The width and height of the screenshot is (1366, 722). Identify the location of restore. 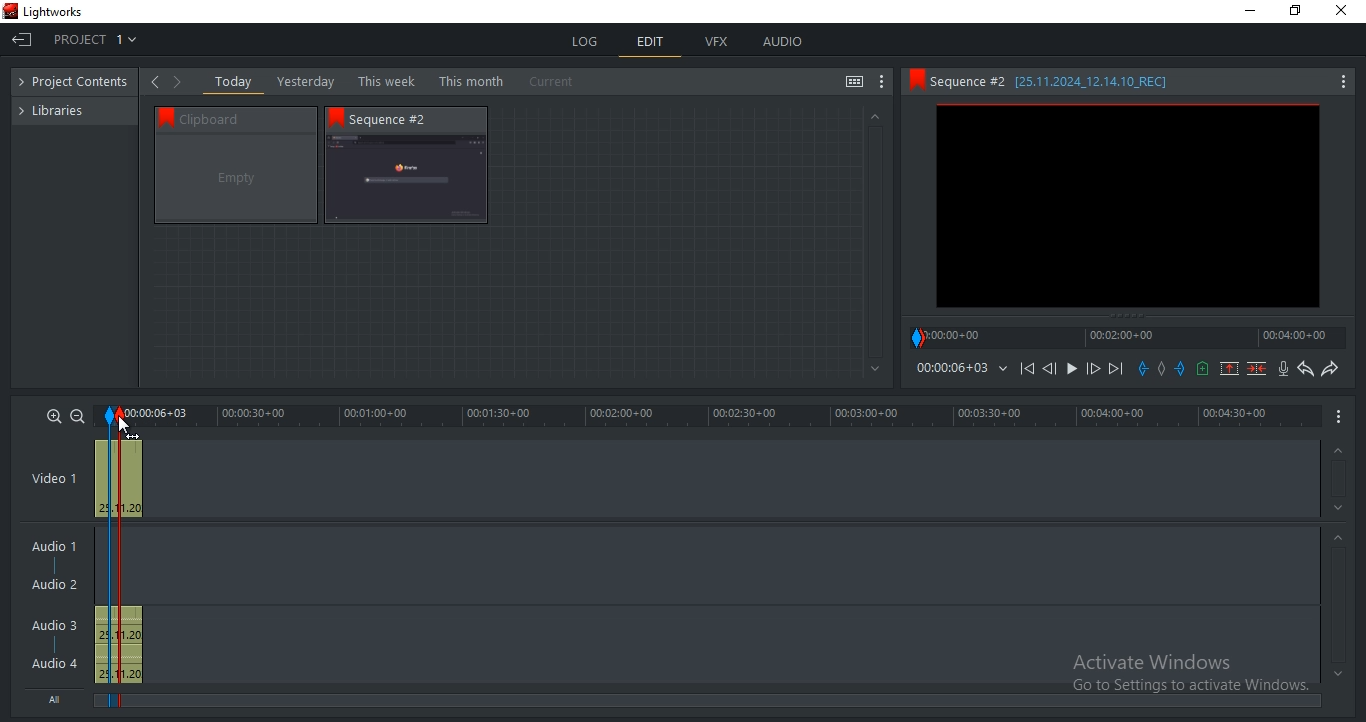
(1295, 12).